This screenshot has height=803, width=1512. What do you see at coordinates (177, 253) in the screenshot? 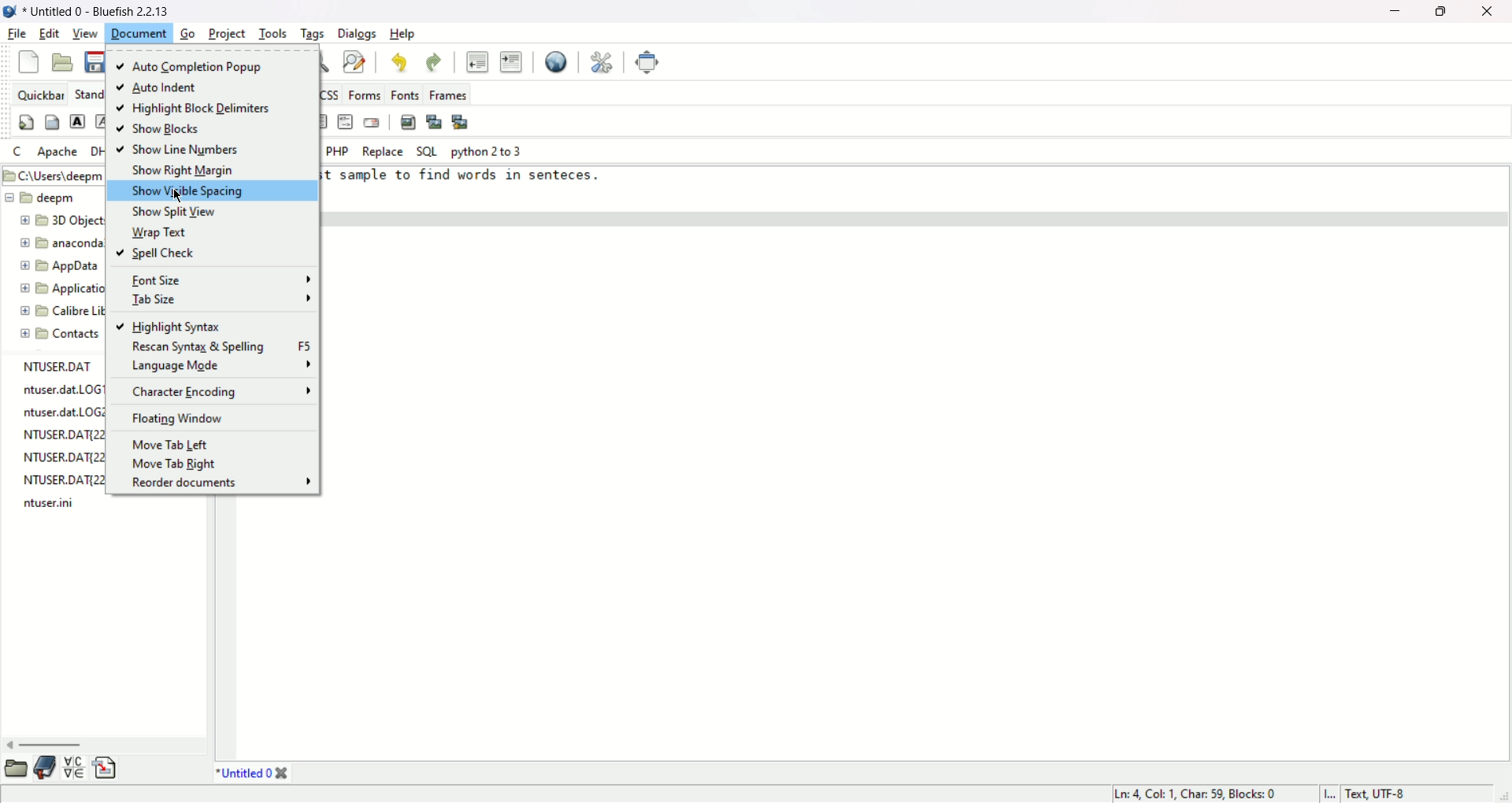
I see `spell check` at bounding box center [177, 253].